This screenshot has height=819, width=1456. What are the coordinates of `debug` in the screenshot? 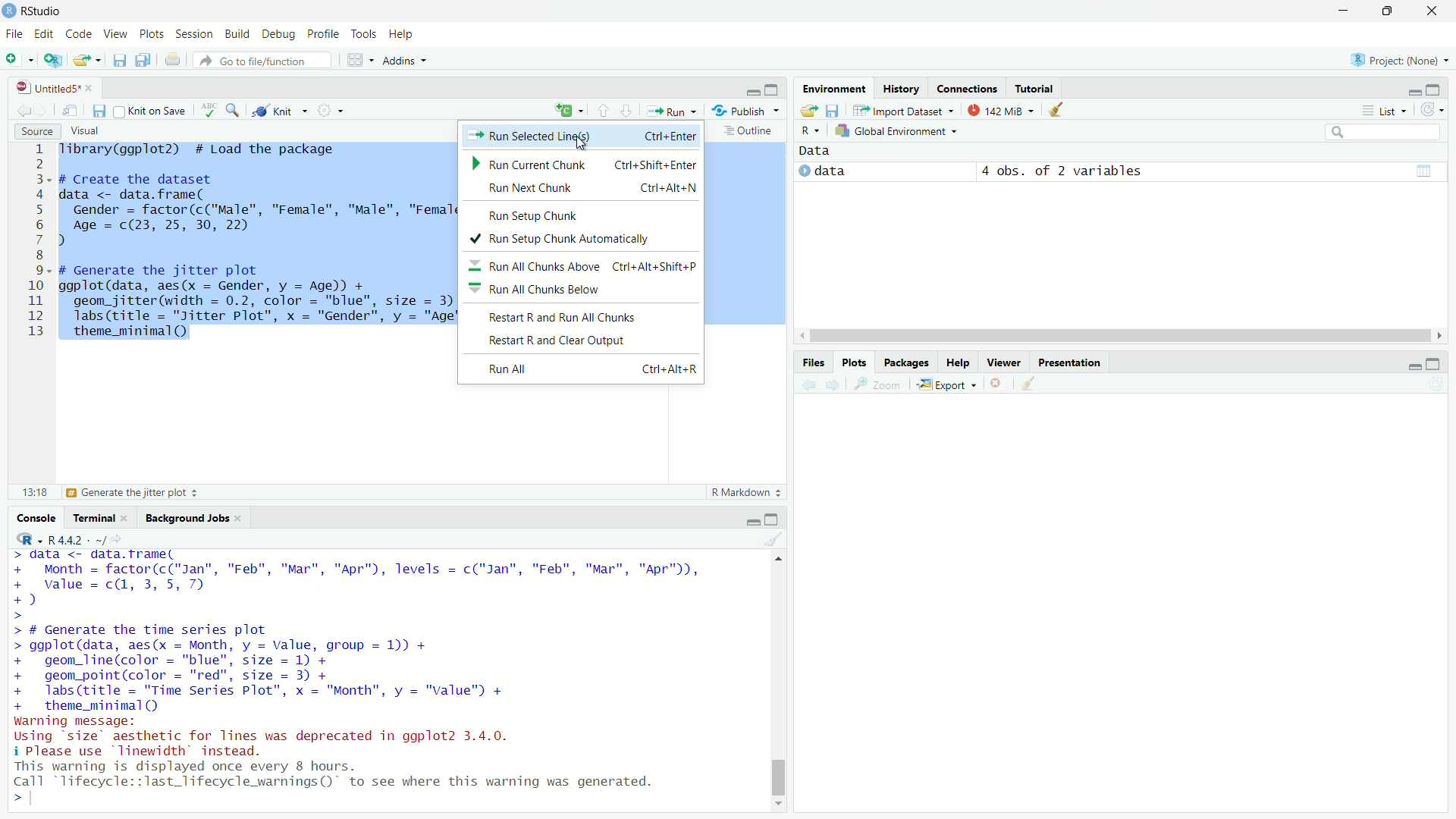 It's located at (280, 32).